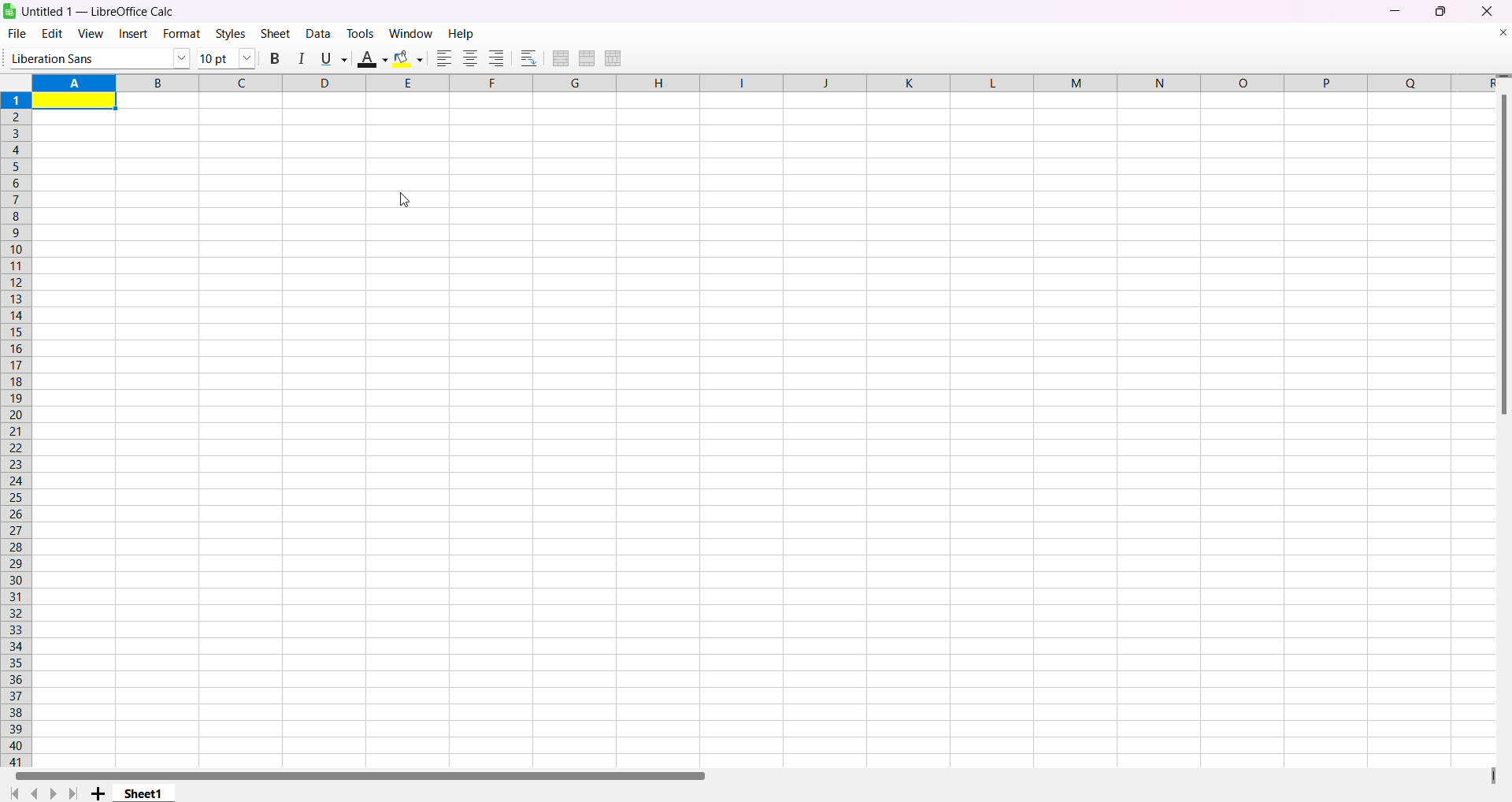 The image size is (1512, 802). Describe the element at coordinates (226, 58) in the screenshot. I see `font size` at that location.